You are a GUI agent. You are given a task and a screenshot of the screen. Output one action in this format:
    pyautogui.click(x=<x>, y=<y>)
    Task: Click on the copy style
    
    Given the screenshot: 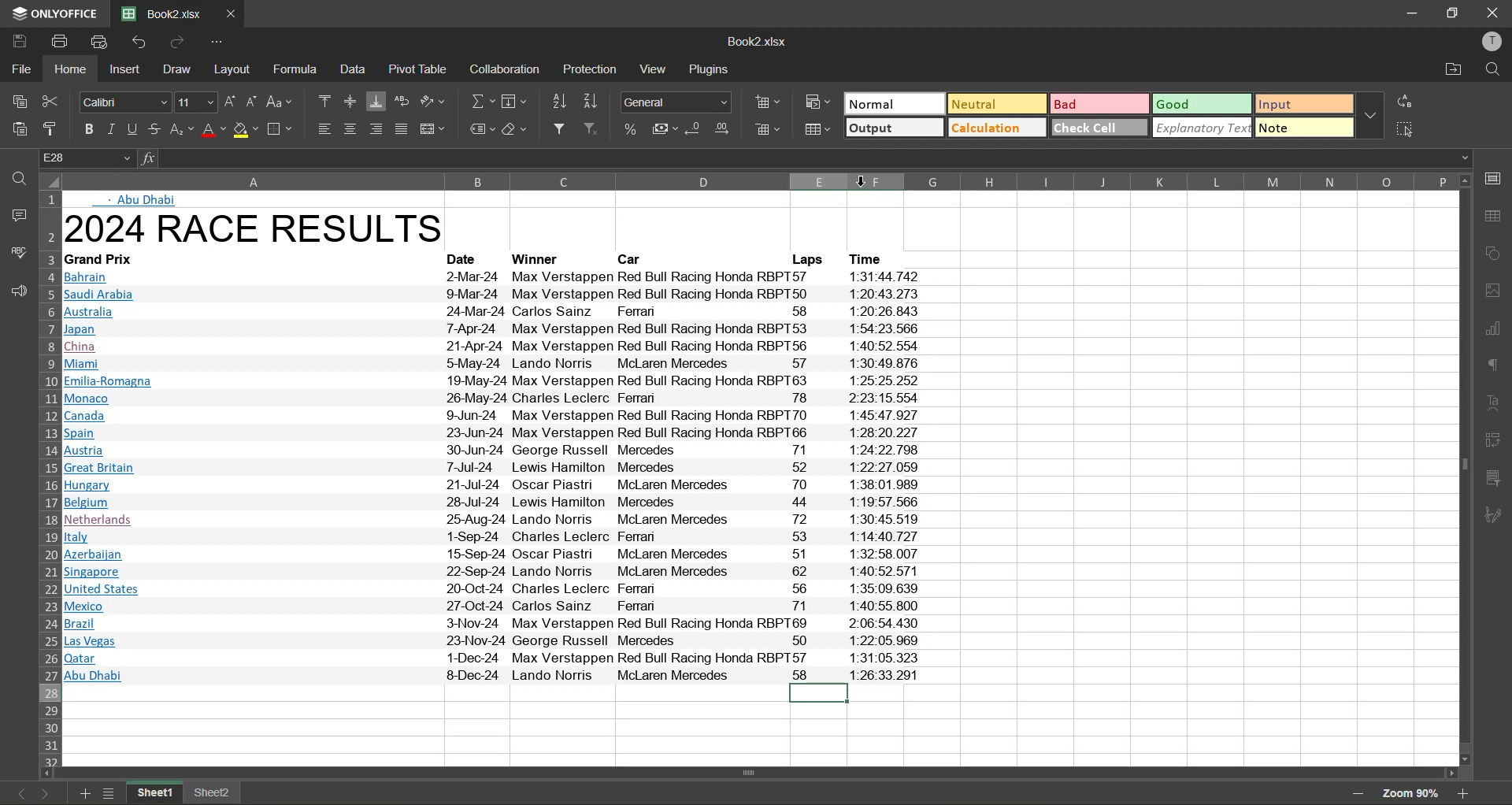 What is the action you would take?
    pyautogui.click(x=51, y=129)
    